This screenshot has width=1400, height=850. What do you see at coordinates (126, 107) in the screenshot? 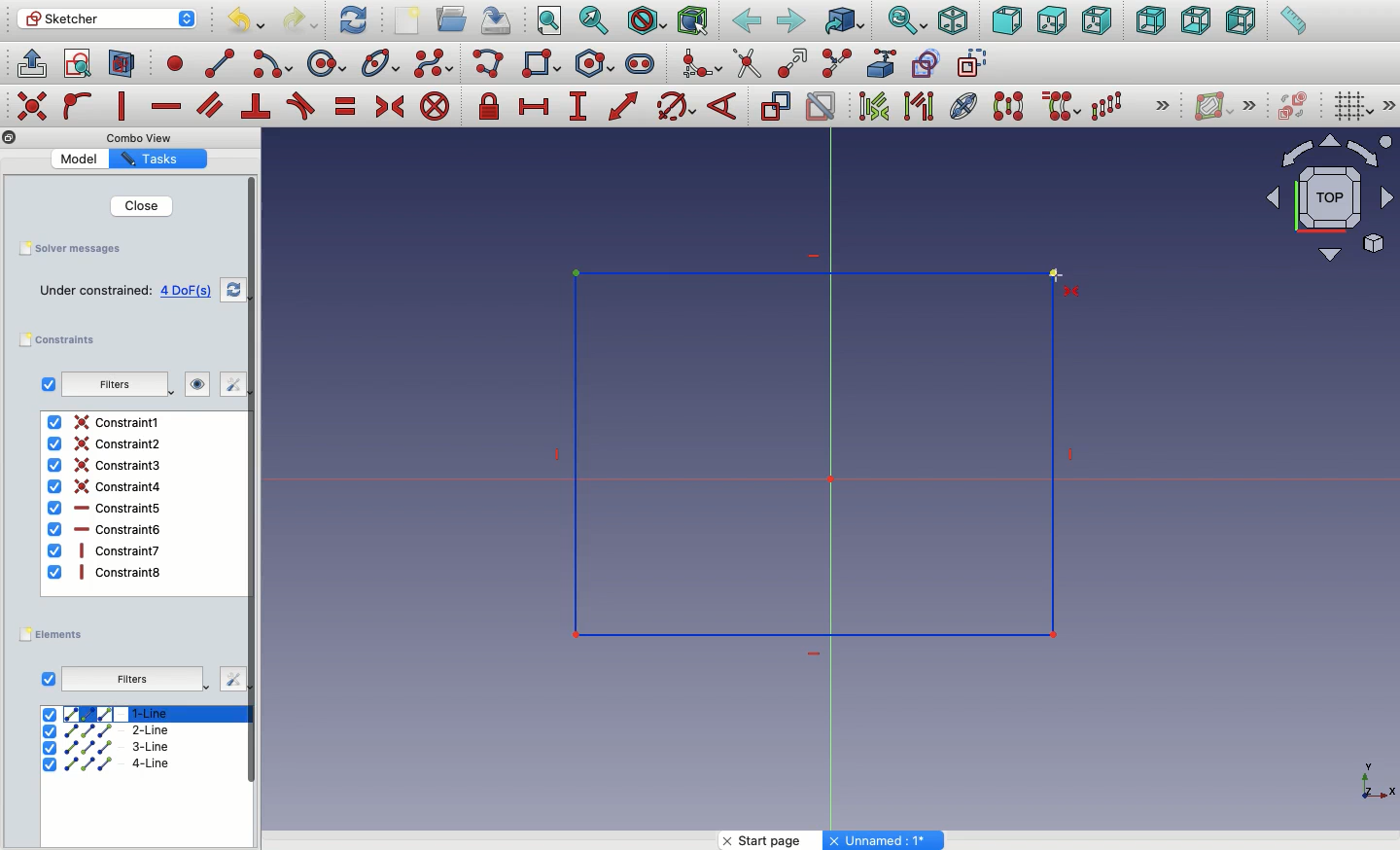
I see `constrain vertically ` at bounding box center [126, 107].